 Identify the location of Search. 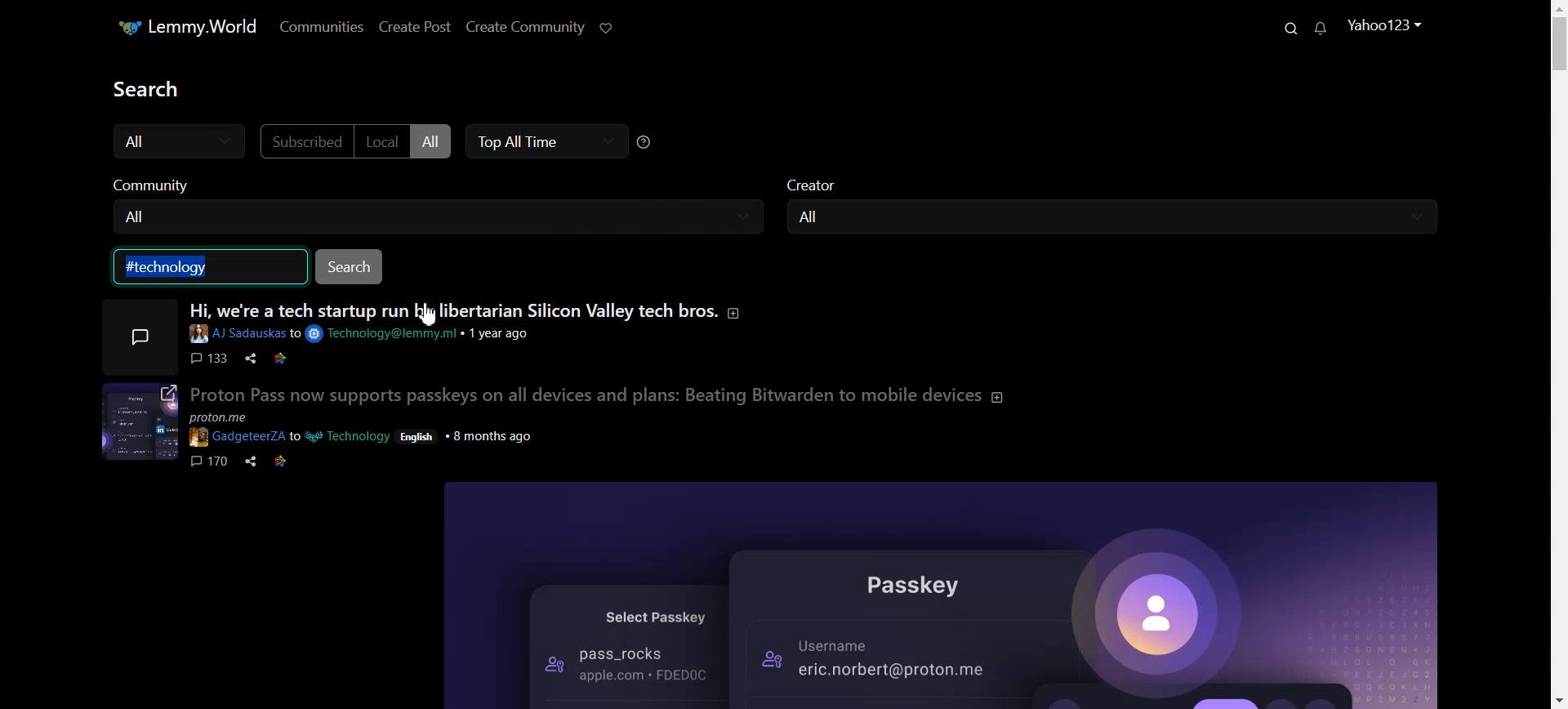
(1290, 27).